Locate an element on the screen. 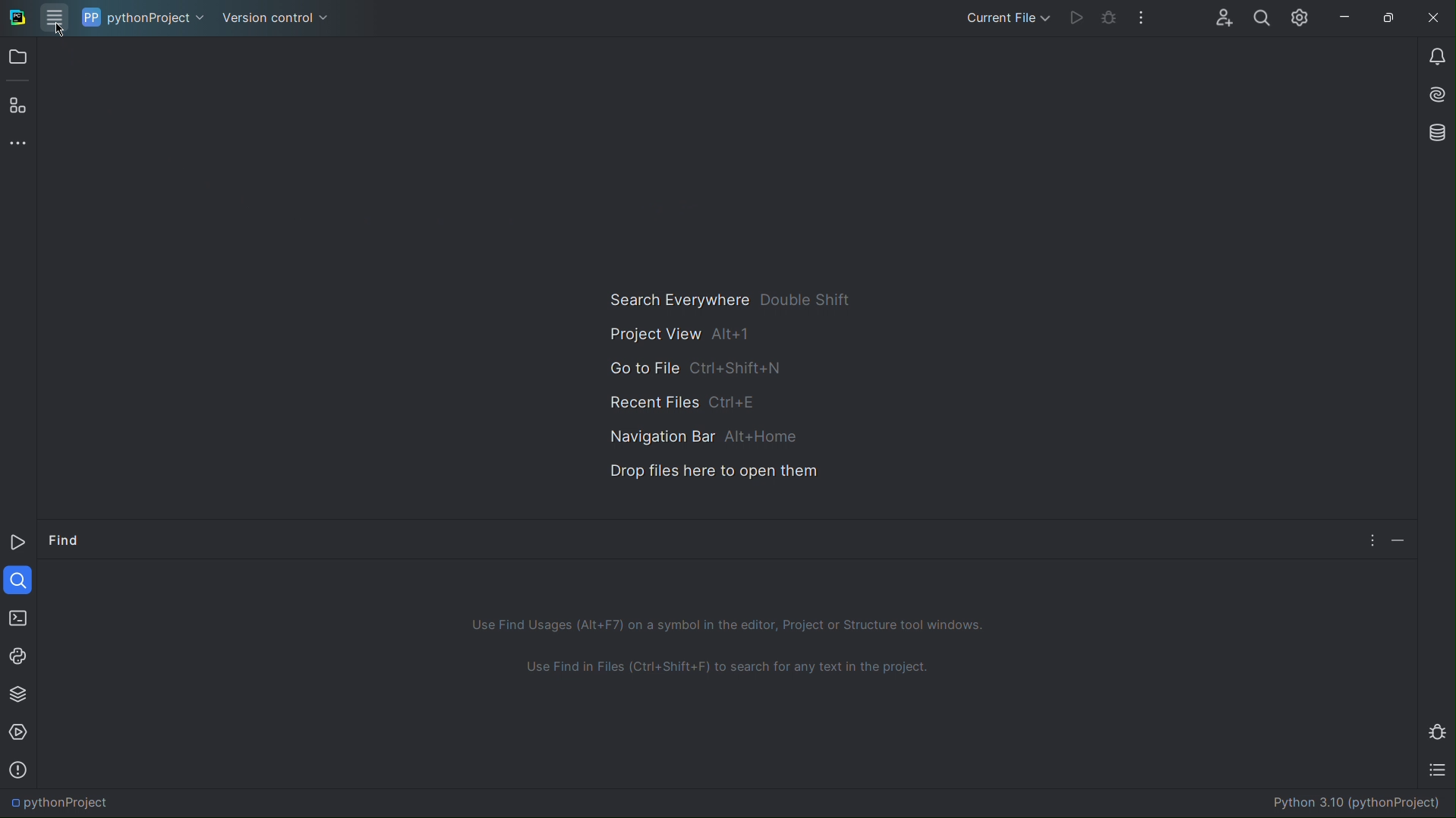 This screenshot has height=818, width=1456. More is located at coordinates (19, 141).